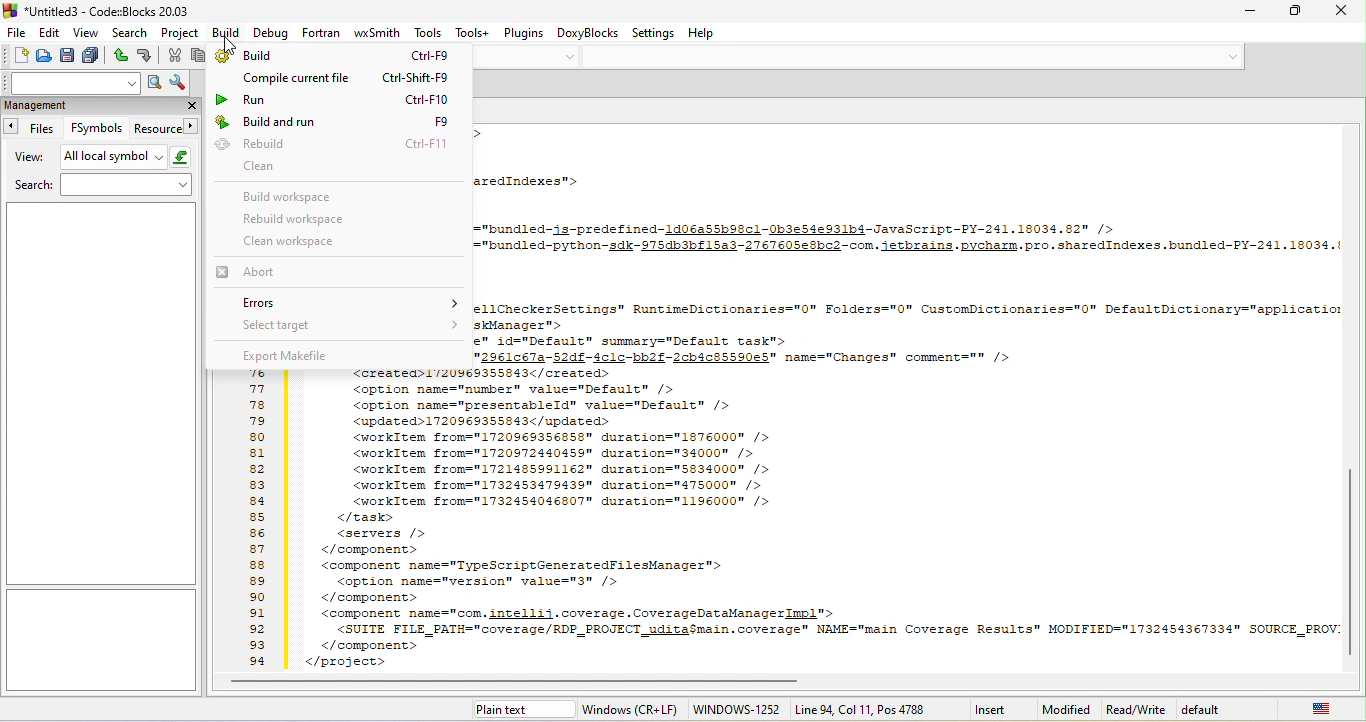 Image resolution: width=1366 pixels, height=722 pixels. Describe the element at coordinates (29, 158) in the screenshot. I see `view` at that location.